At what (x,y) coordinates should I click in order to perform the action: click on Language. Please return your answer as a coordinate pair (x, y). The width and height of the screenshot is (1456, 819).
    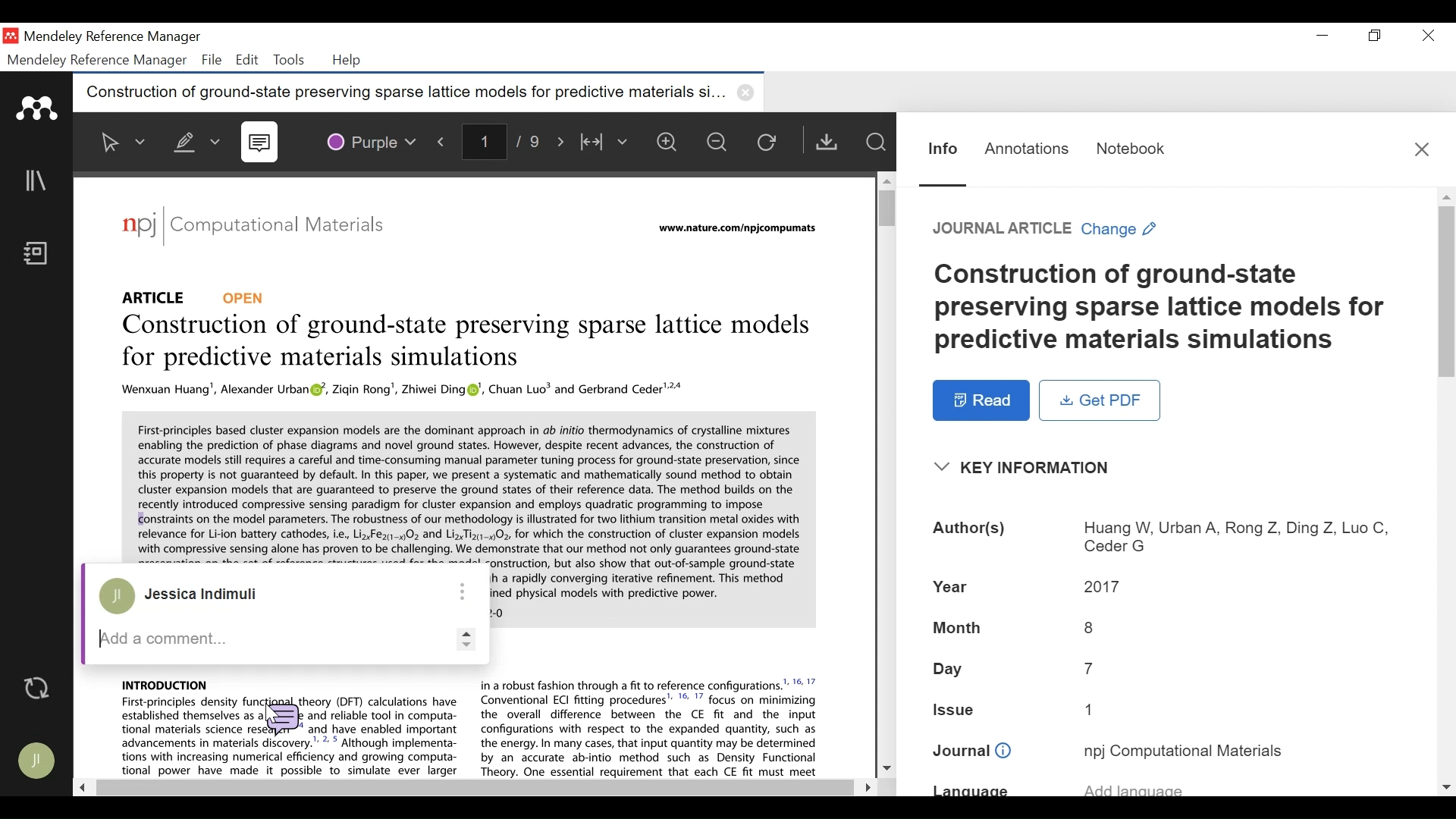
    Looking at the image, I should click on (1164, 789).